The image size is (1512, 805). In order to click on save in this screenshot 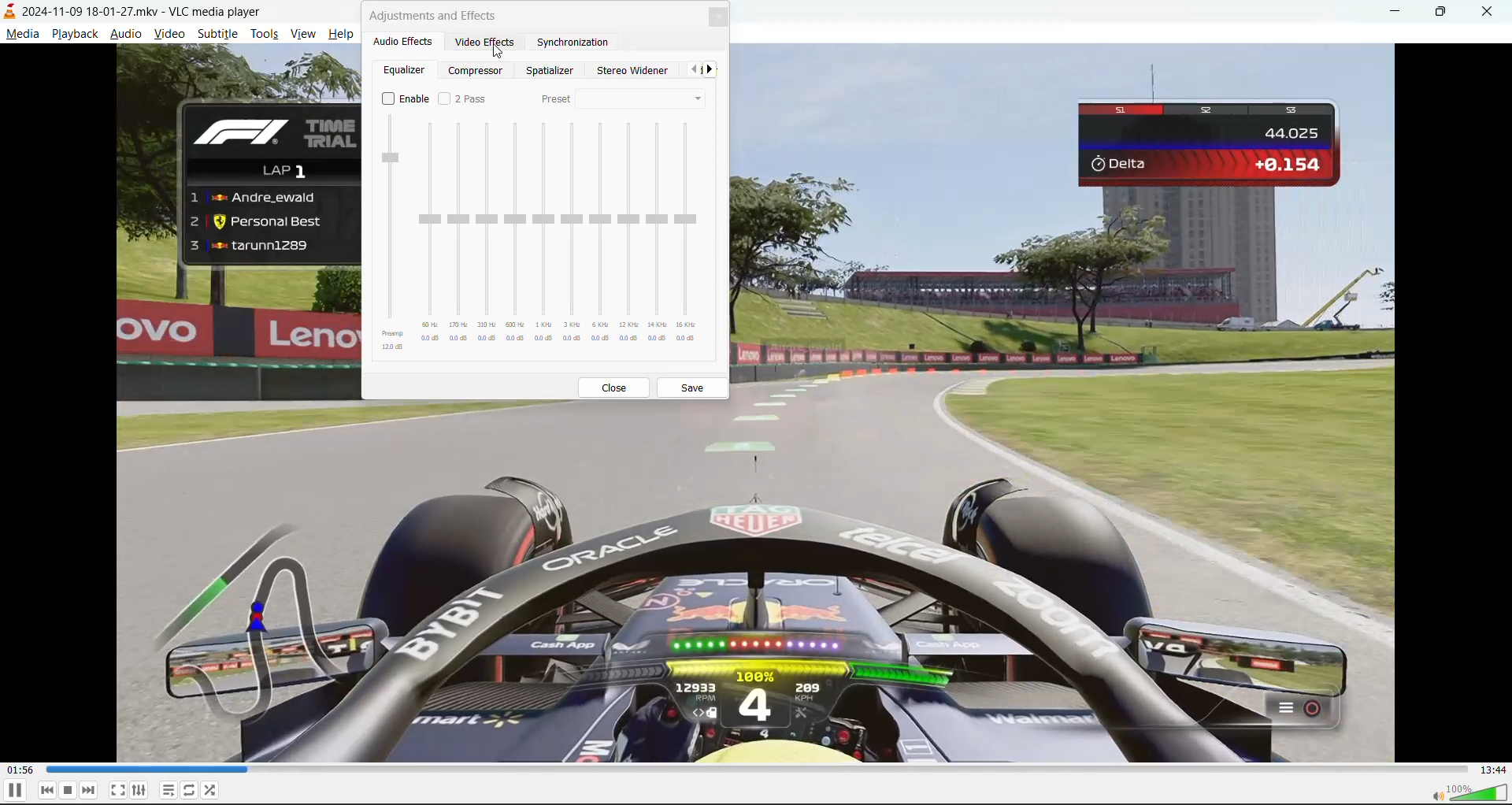, I will do `click(695, 389)`.